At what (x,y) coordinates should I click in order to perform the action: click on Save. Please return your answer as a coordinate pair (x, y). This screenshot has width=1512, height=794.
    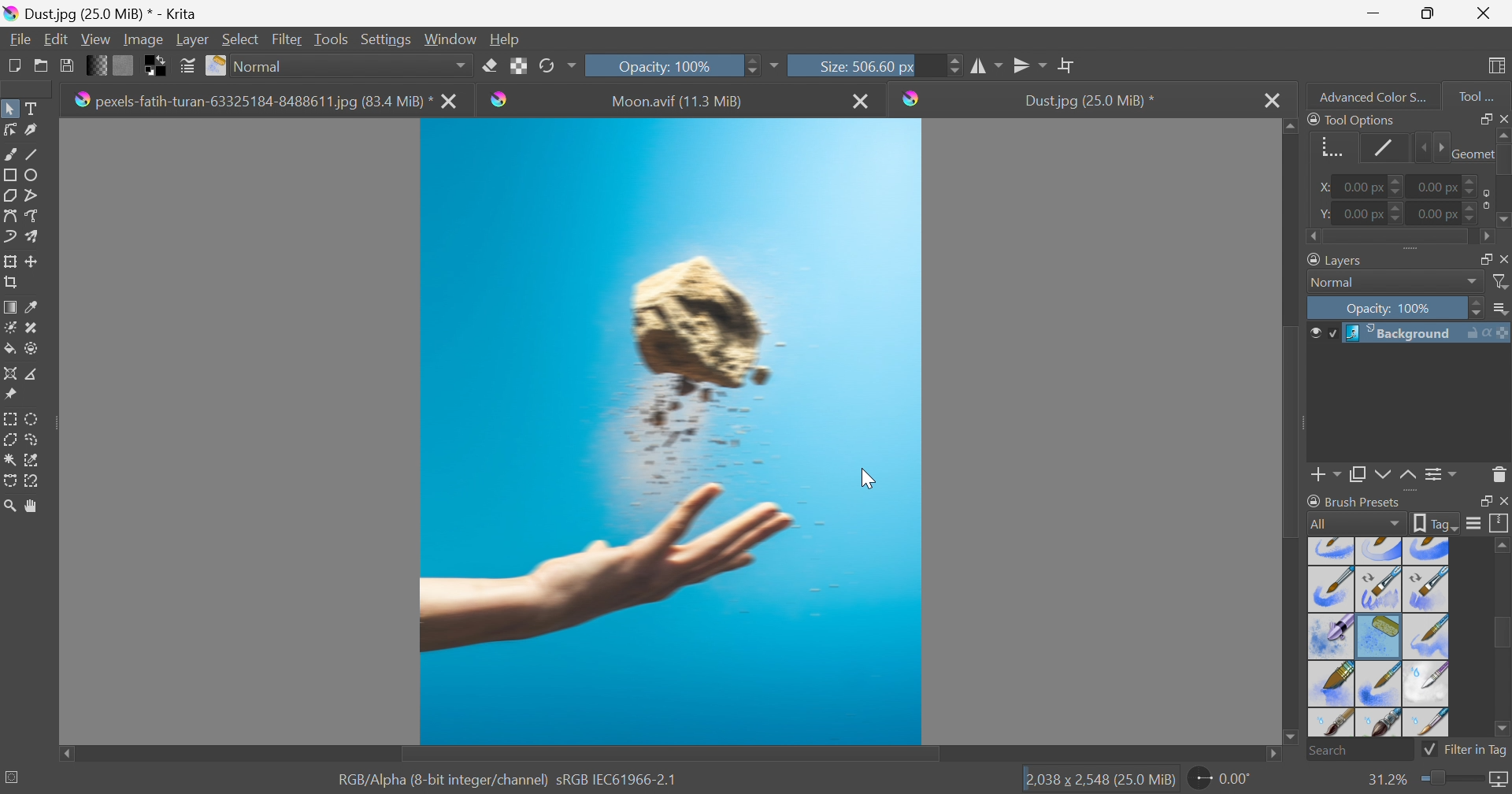
    Looking at the image, I should click on (65, 64).